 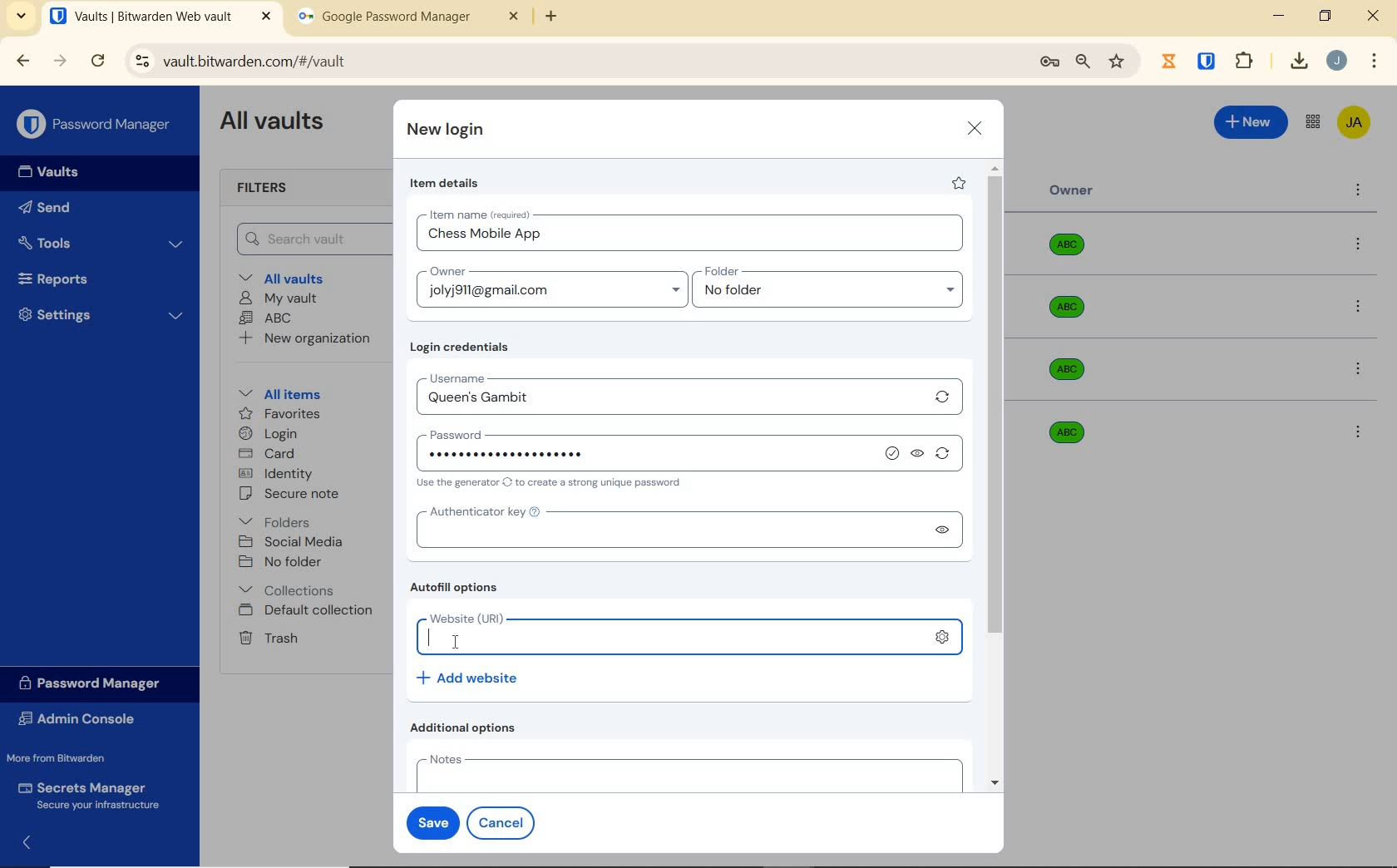 I want to click on extensions, so click(x=1208, y=60).